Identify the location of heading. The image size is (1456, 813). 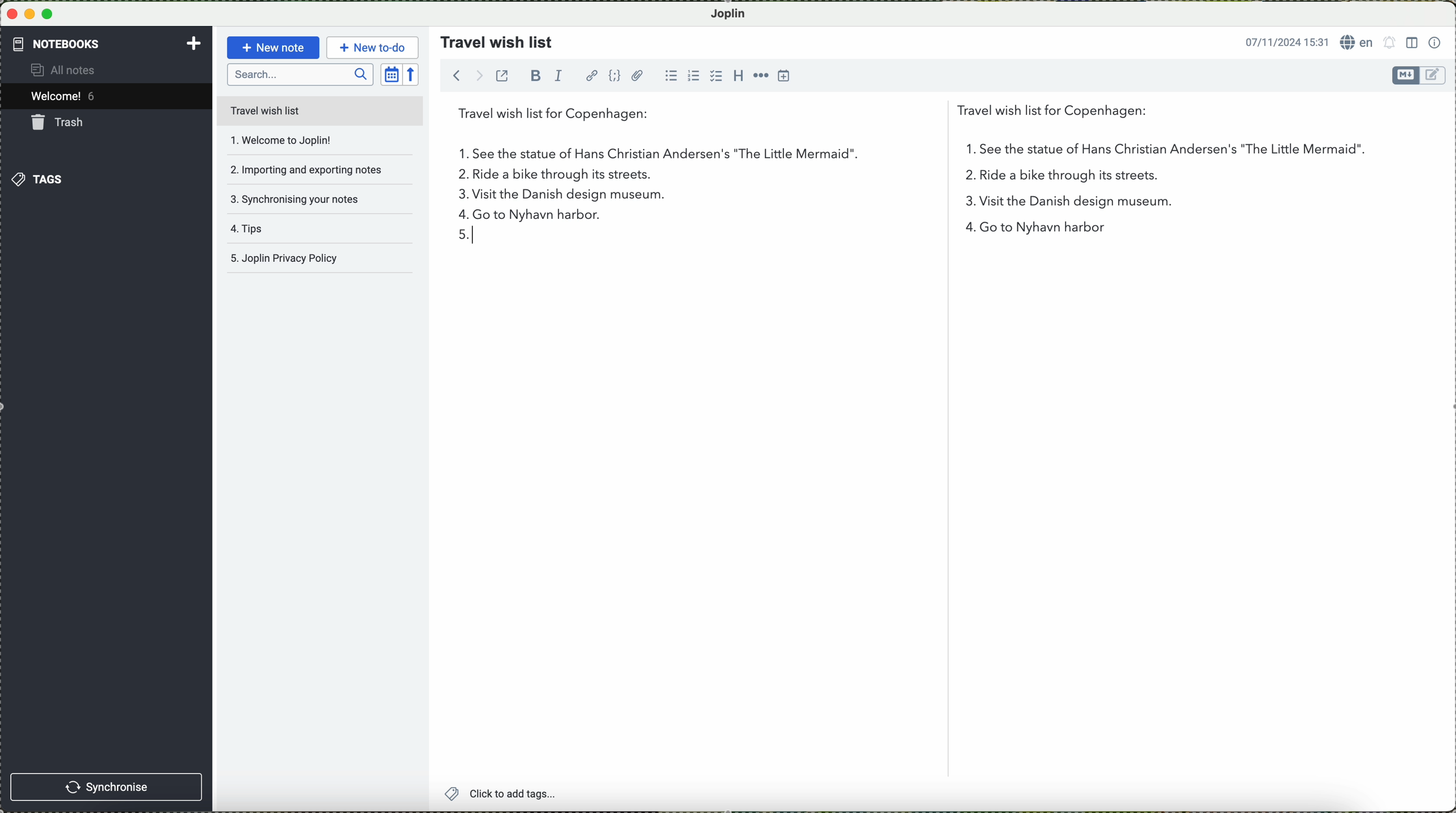
(736, 75).